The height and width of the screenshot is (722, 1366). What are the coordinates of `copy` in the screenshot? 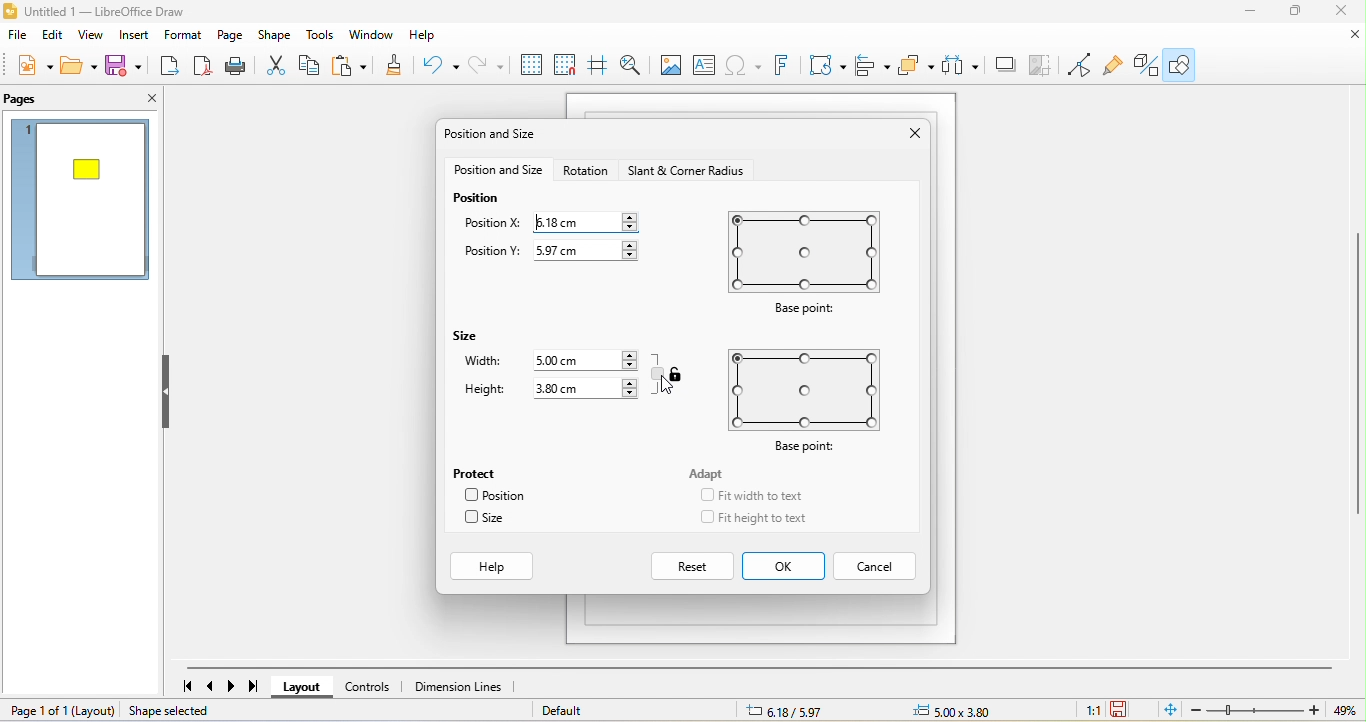 It's located at (315, 64).